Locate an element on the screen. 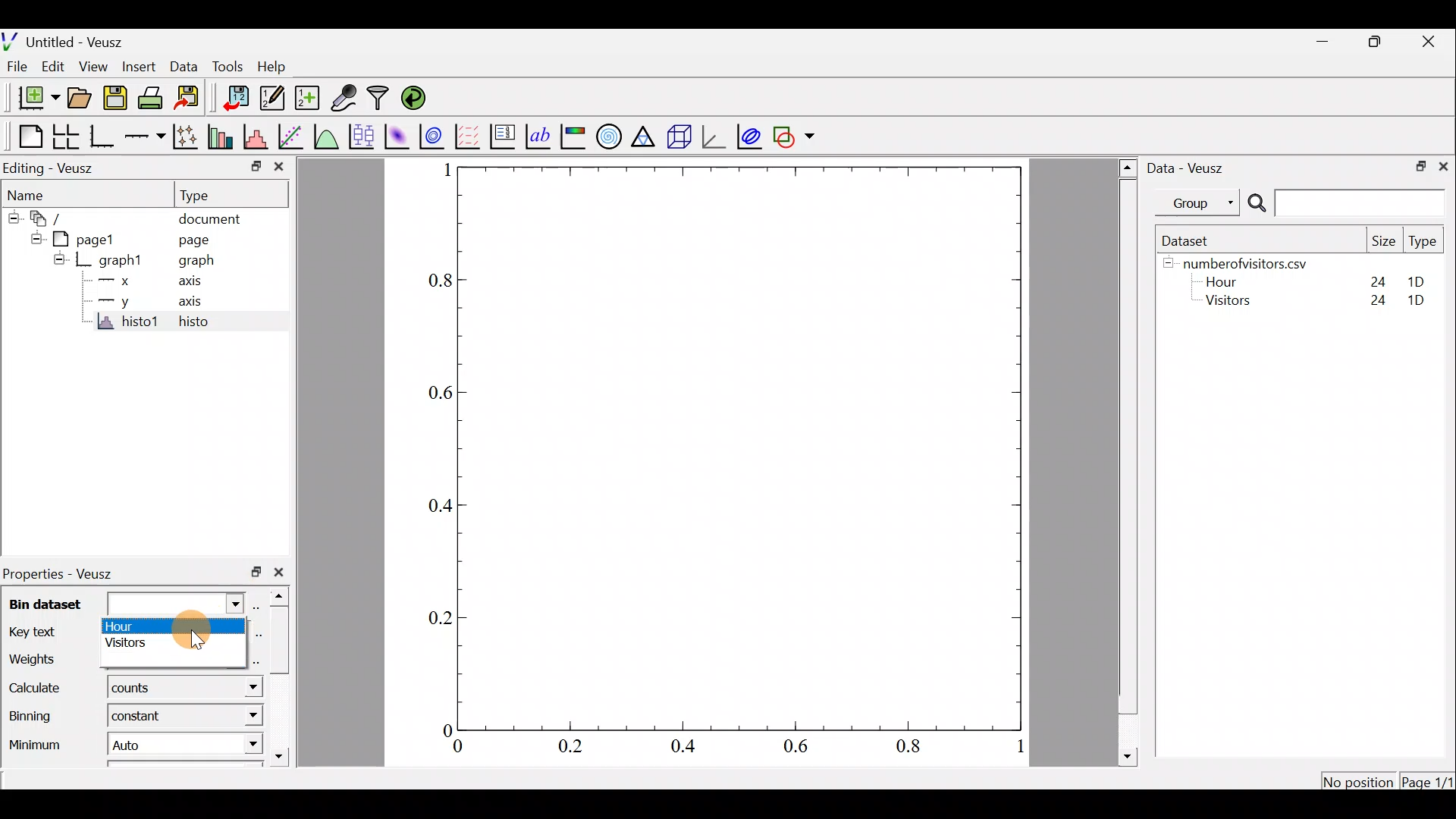 This screenshot has width=1456, height=819. close is located at coordinates (279, 168).